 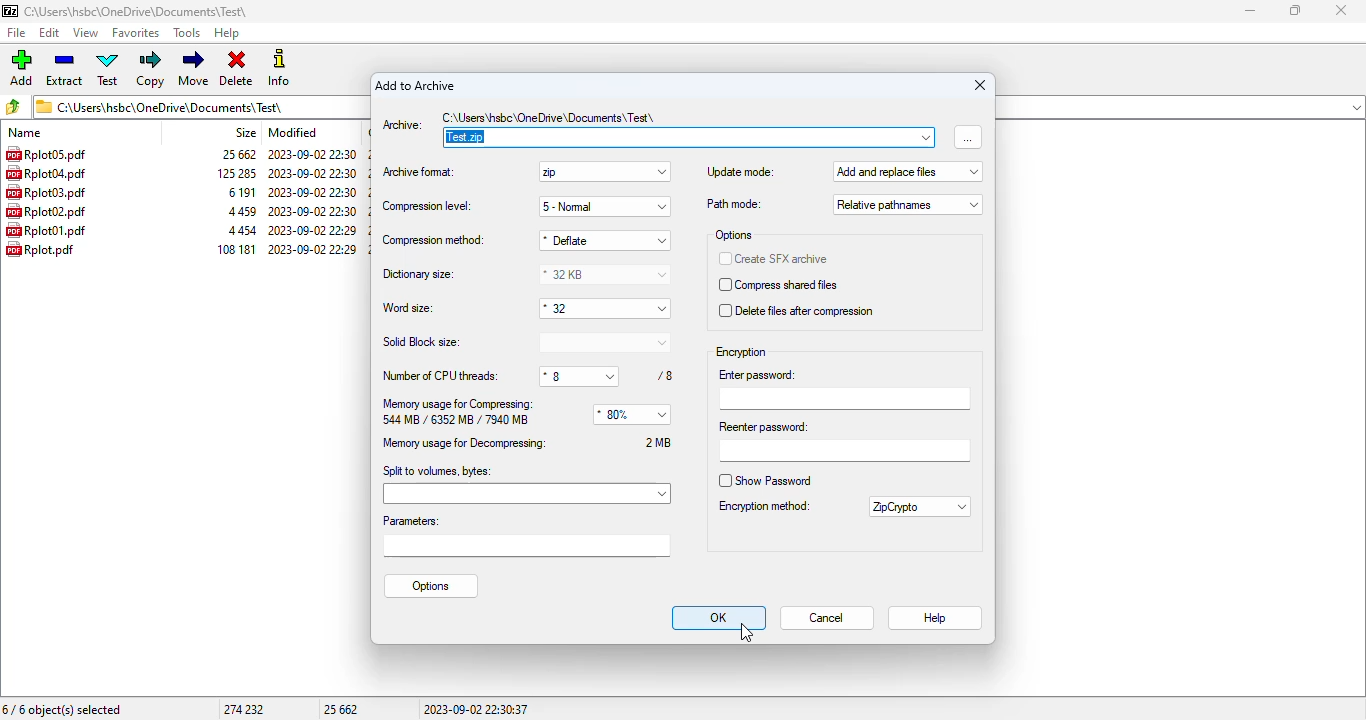 I want to click on help, so click(x=227, y=33).